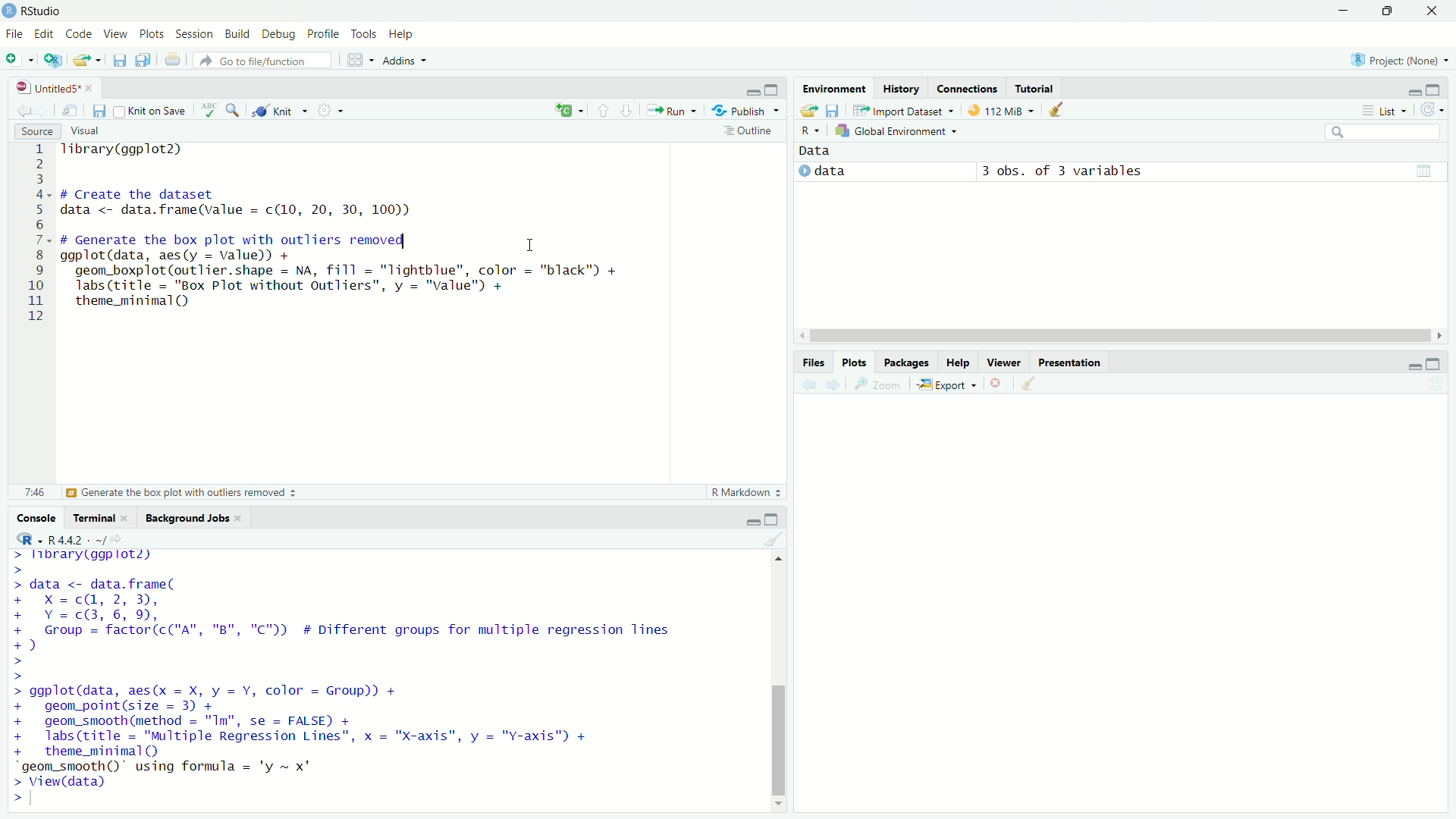 This screenshot has height=819, width=1456. Describe the element at coordinates (777, 516) in the screenshot. I see `maximise` at that location.